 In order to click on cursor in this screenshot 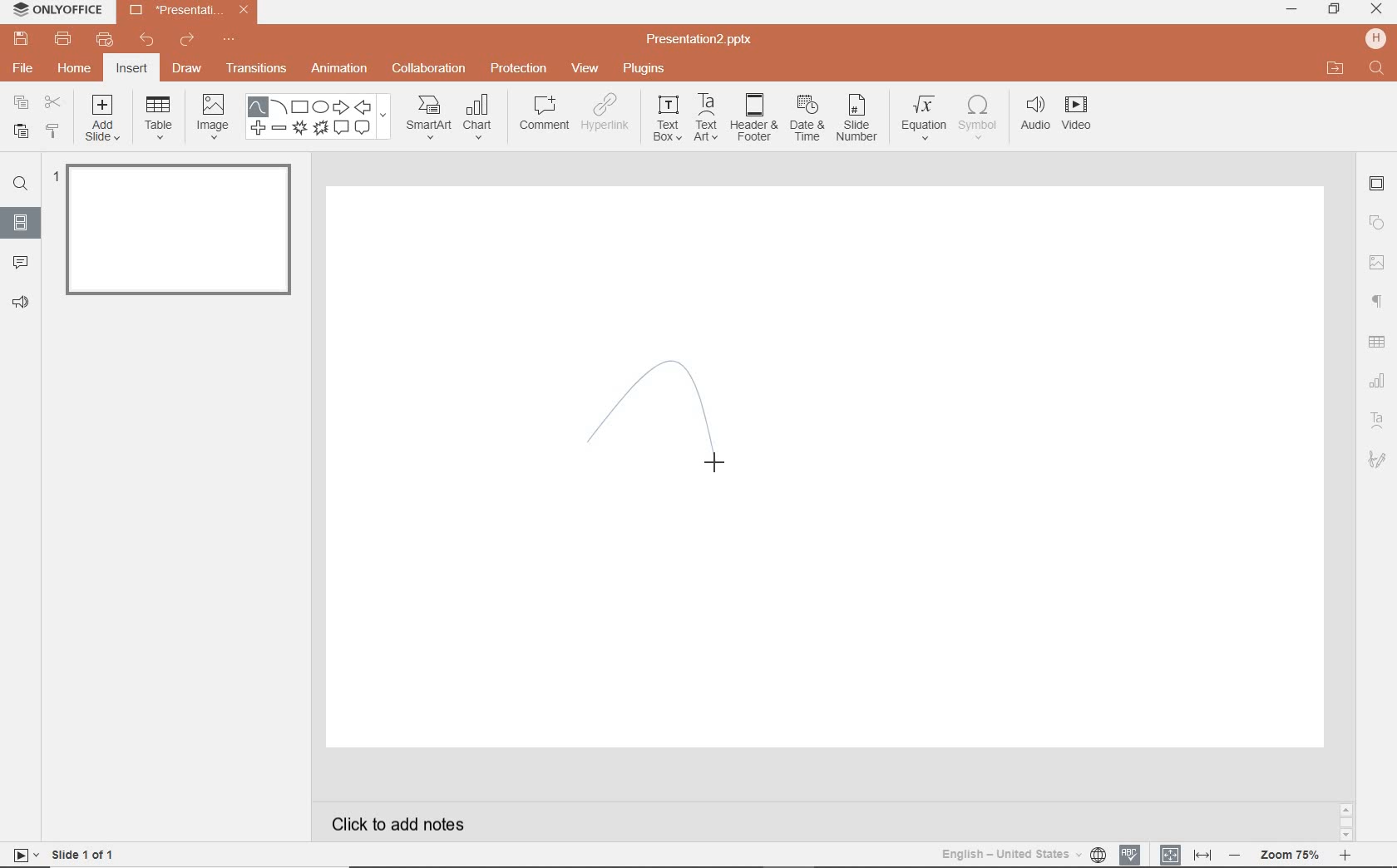, I will do `click(718, 459)`.